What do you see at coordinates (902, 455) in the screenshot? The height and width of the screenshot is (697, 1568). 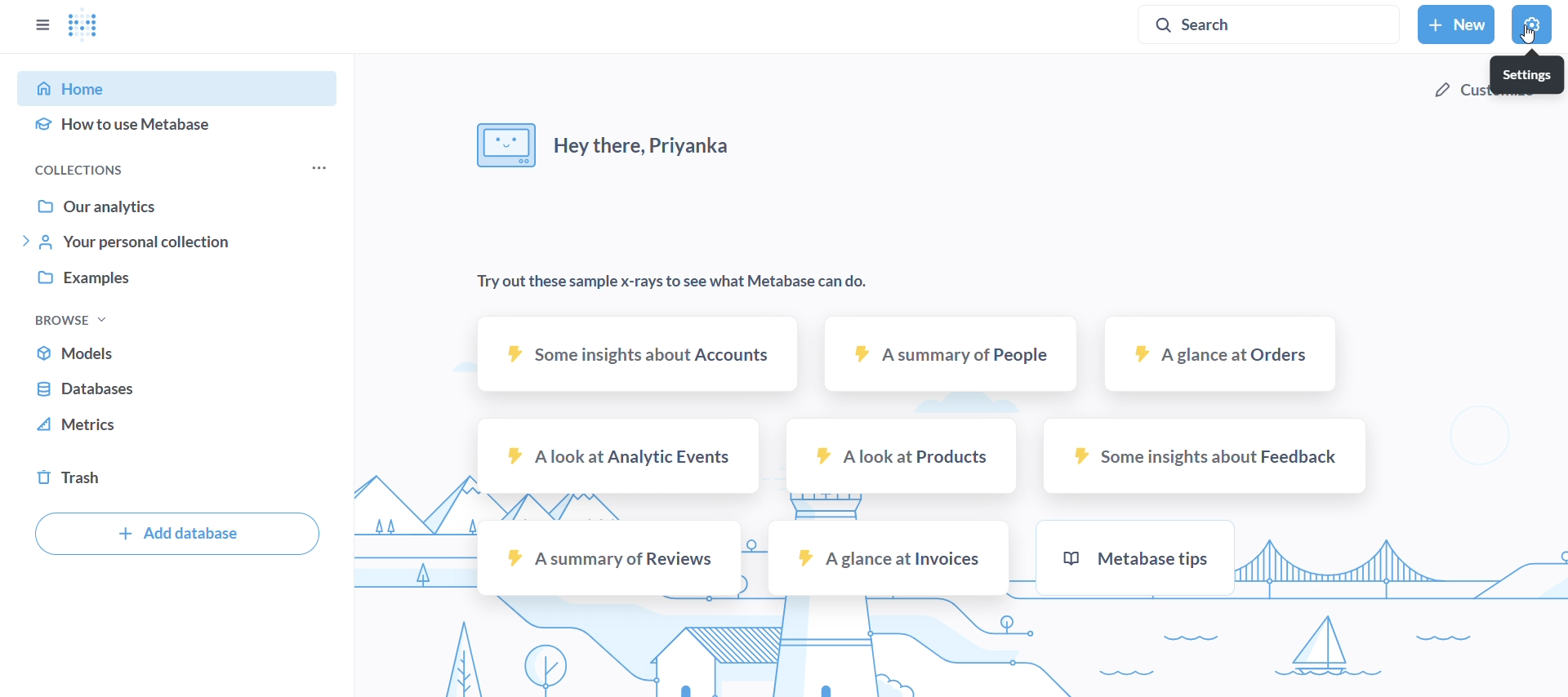 I see `a look at products` at bounding box center [902, 455].